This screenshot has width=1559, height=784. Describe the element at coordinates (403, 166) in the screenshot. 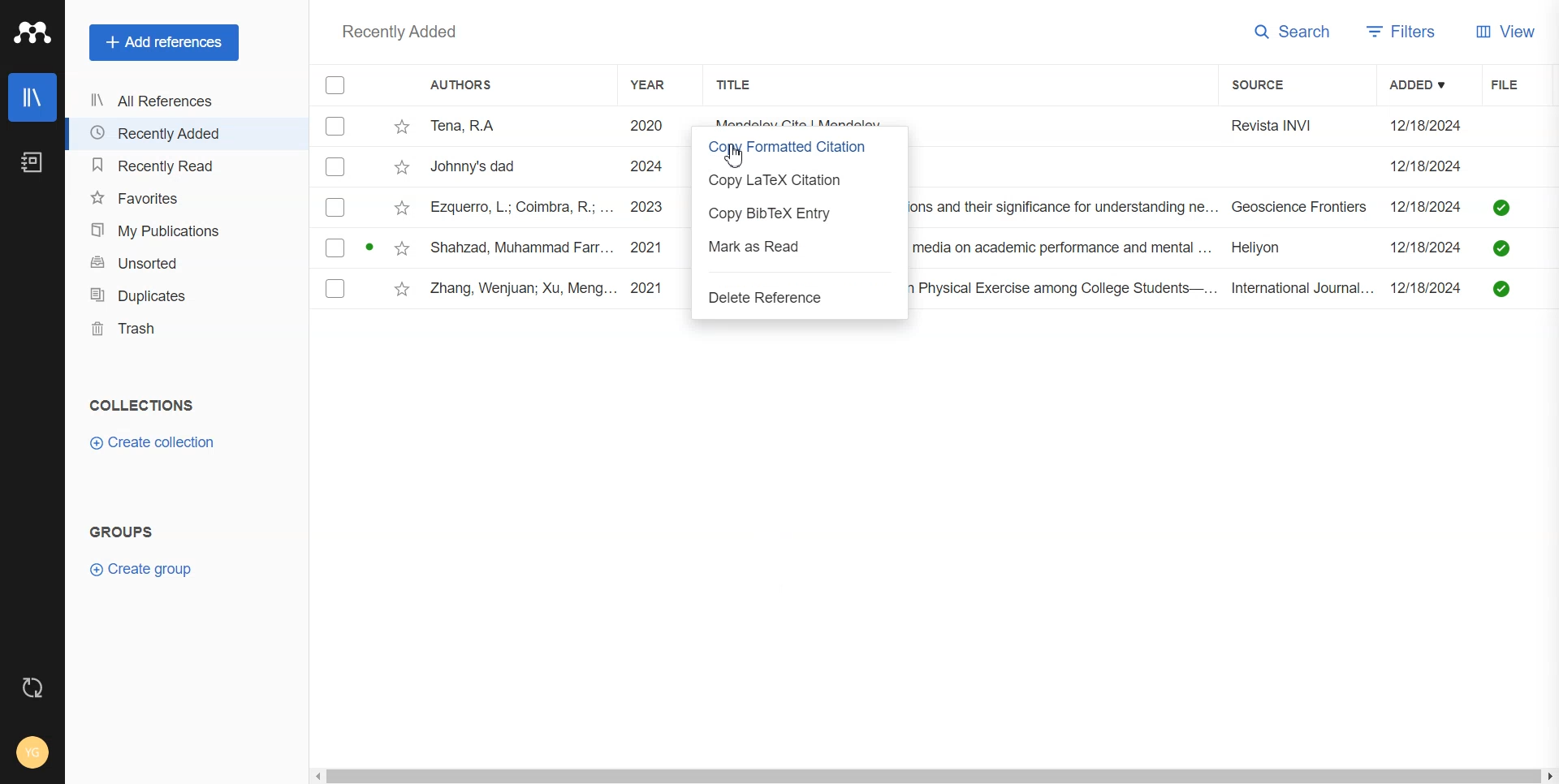

I see `Star` at that location.